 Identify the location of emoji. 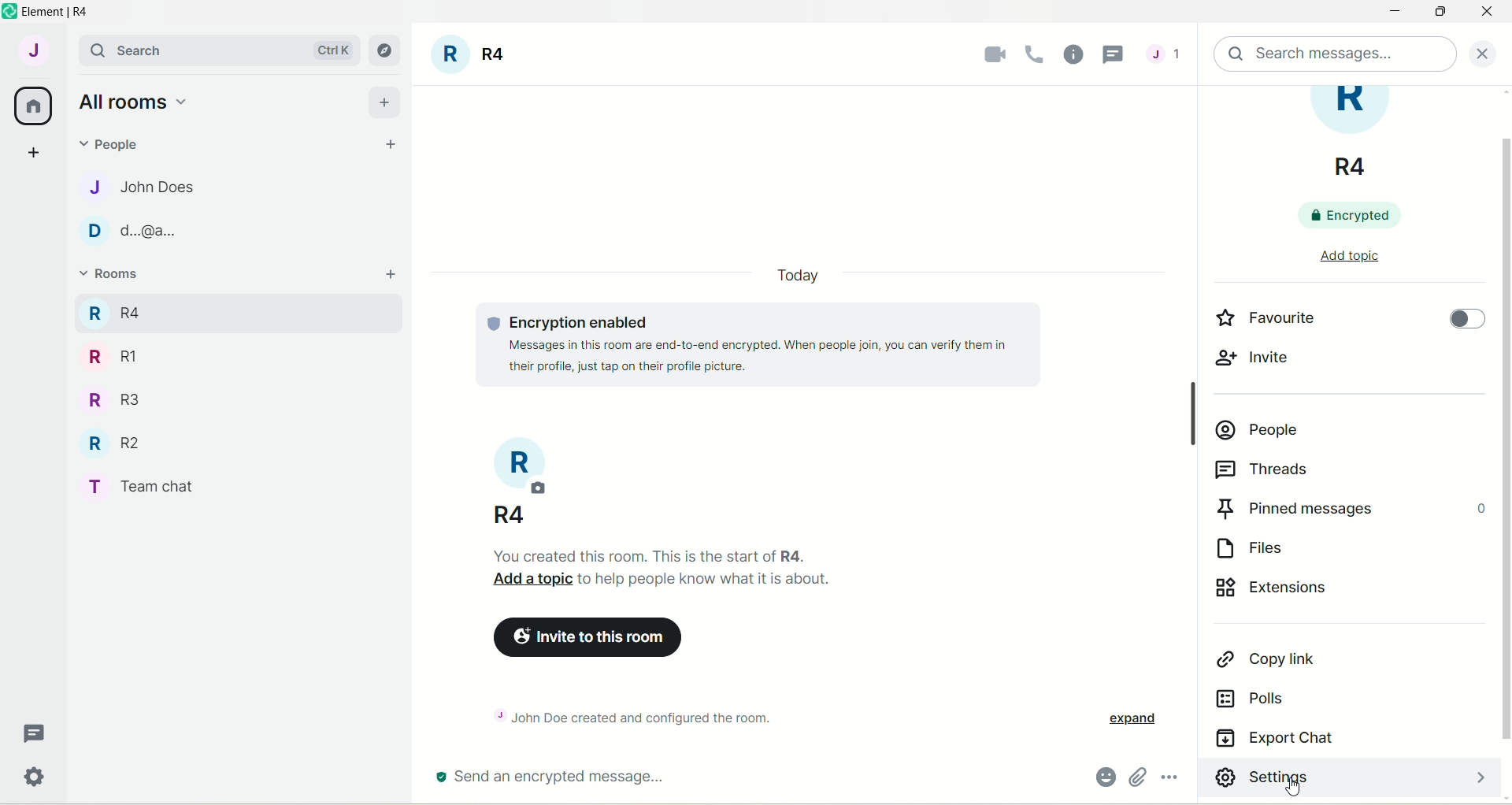
(1104, 777).